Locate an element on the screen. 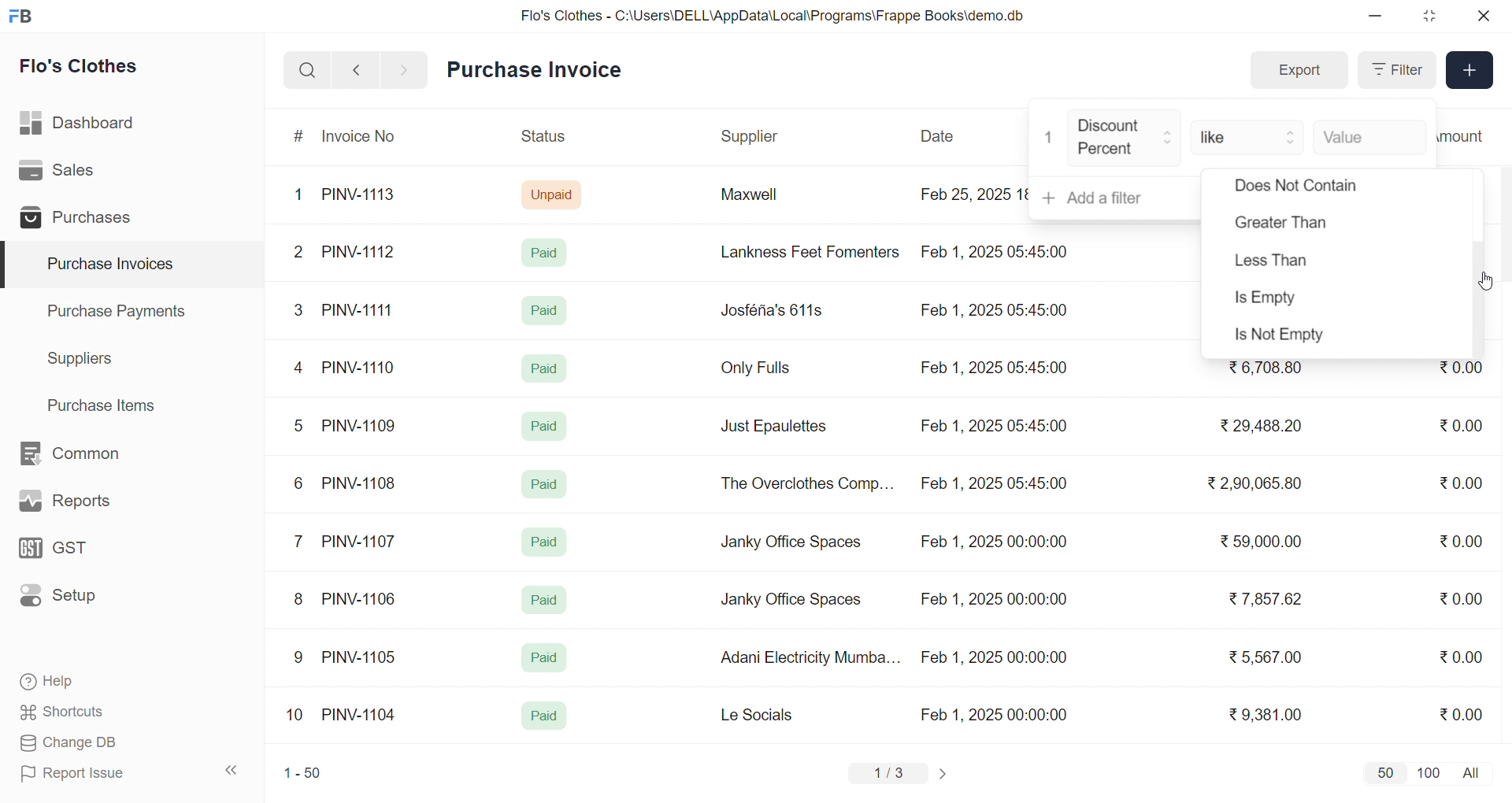 This screenshot has height=803, width=1512. Common is located at coordinates (87, 454).